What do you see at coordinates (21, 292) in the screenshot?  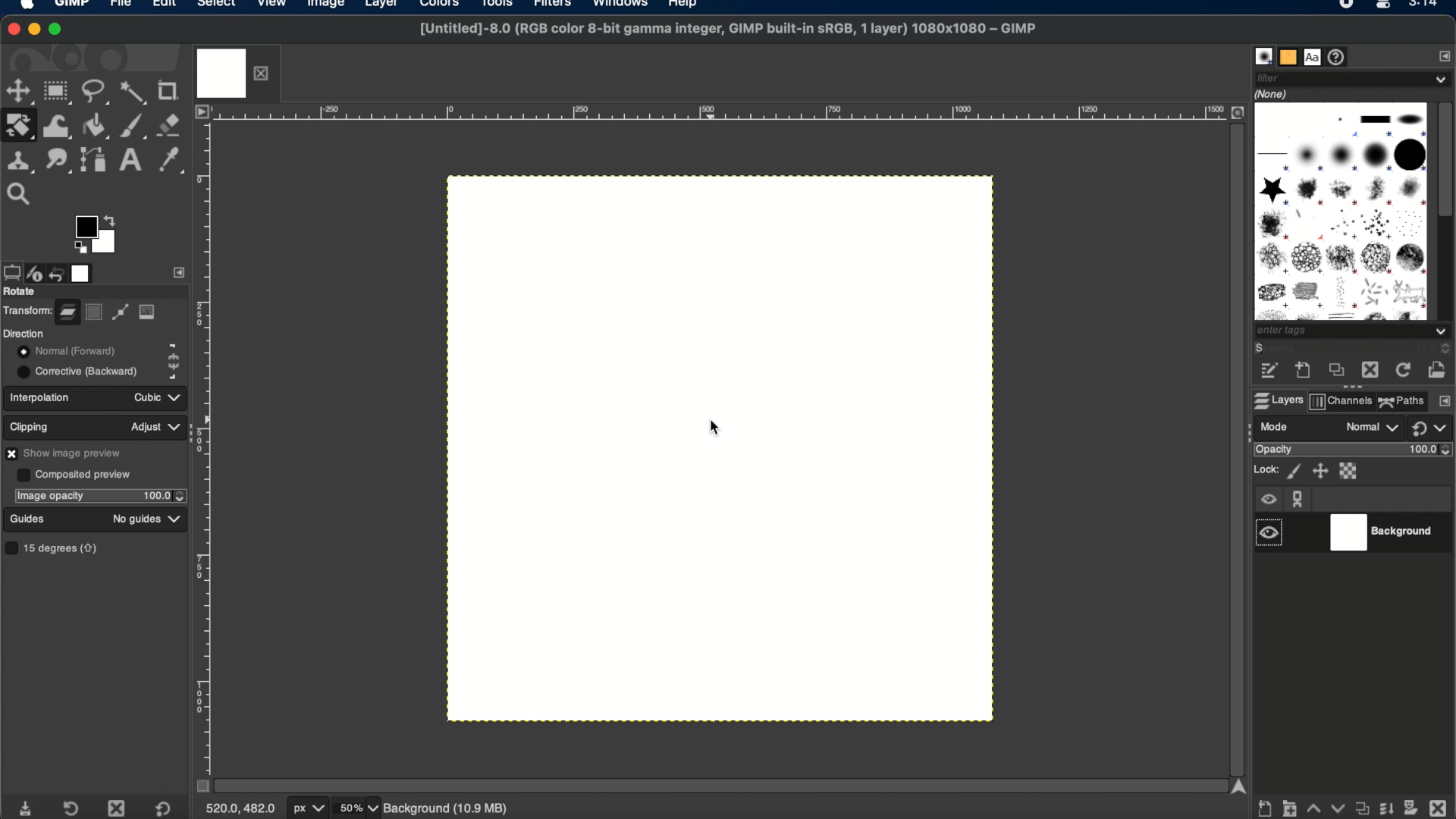 I see `rotate` at bounding box center [21, 292].